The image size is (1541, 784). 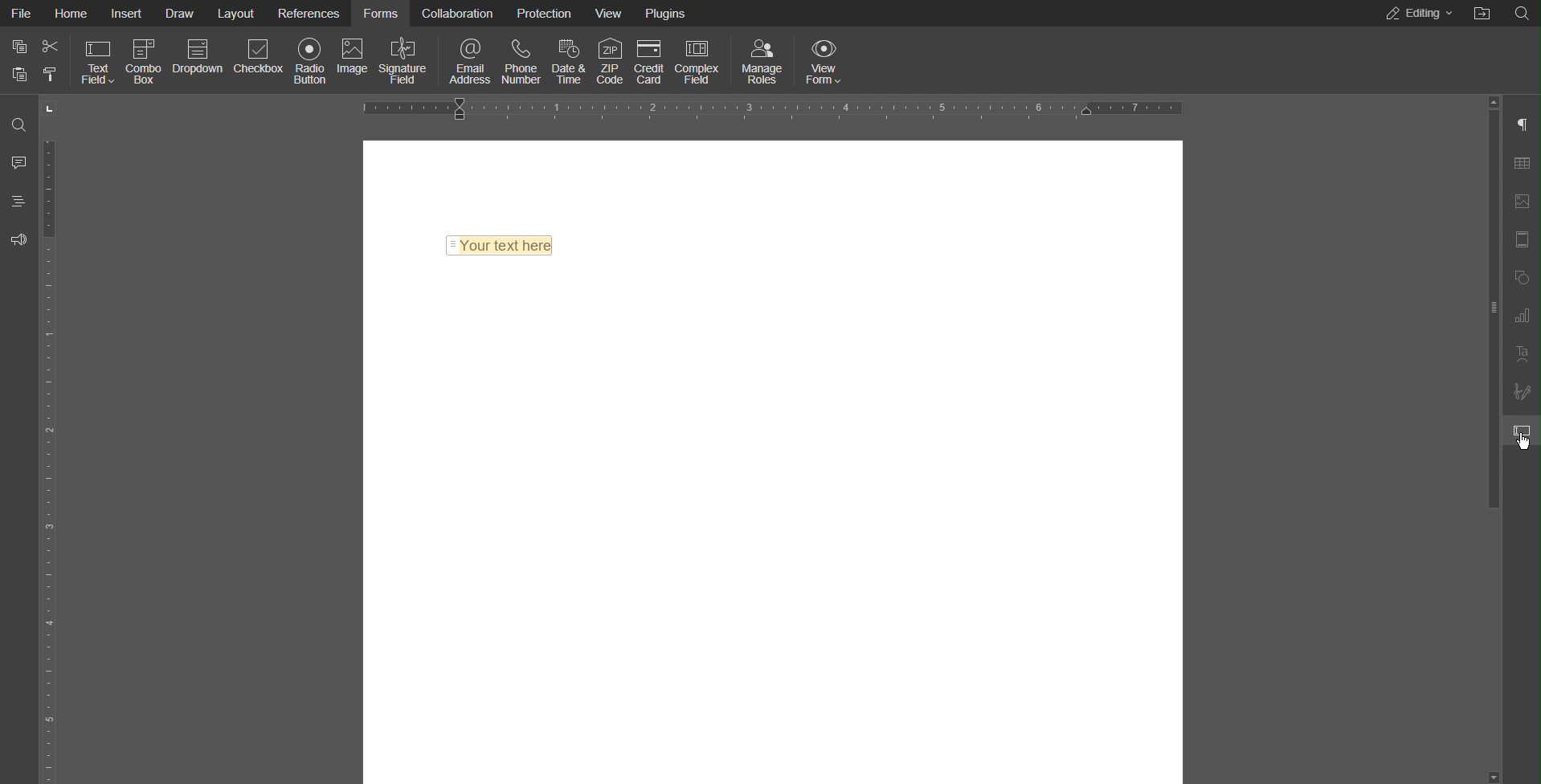 What do you see at coordinates (825, 59) in the screenshot?
I see `View Form` at bounding box center [825, 59].